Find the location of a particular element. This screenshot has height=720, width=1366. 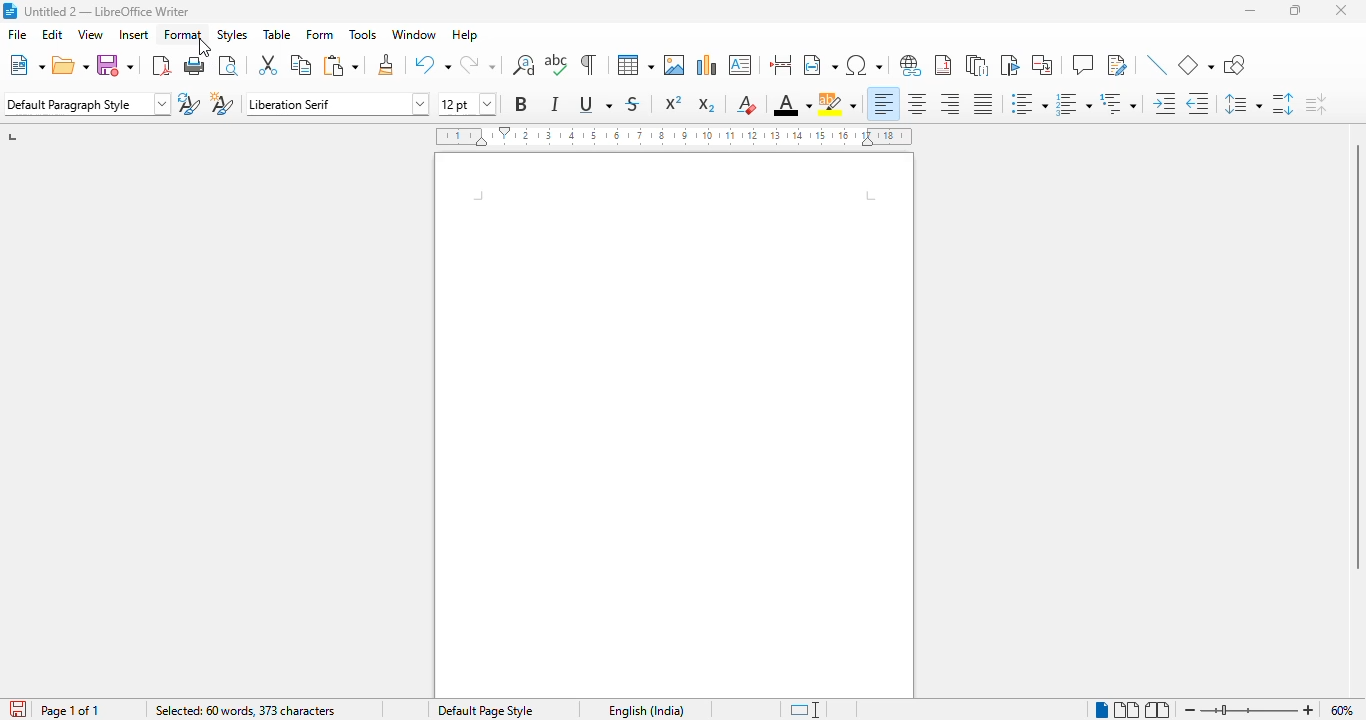

justified is located at coordinates (982, 104).